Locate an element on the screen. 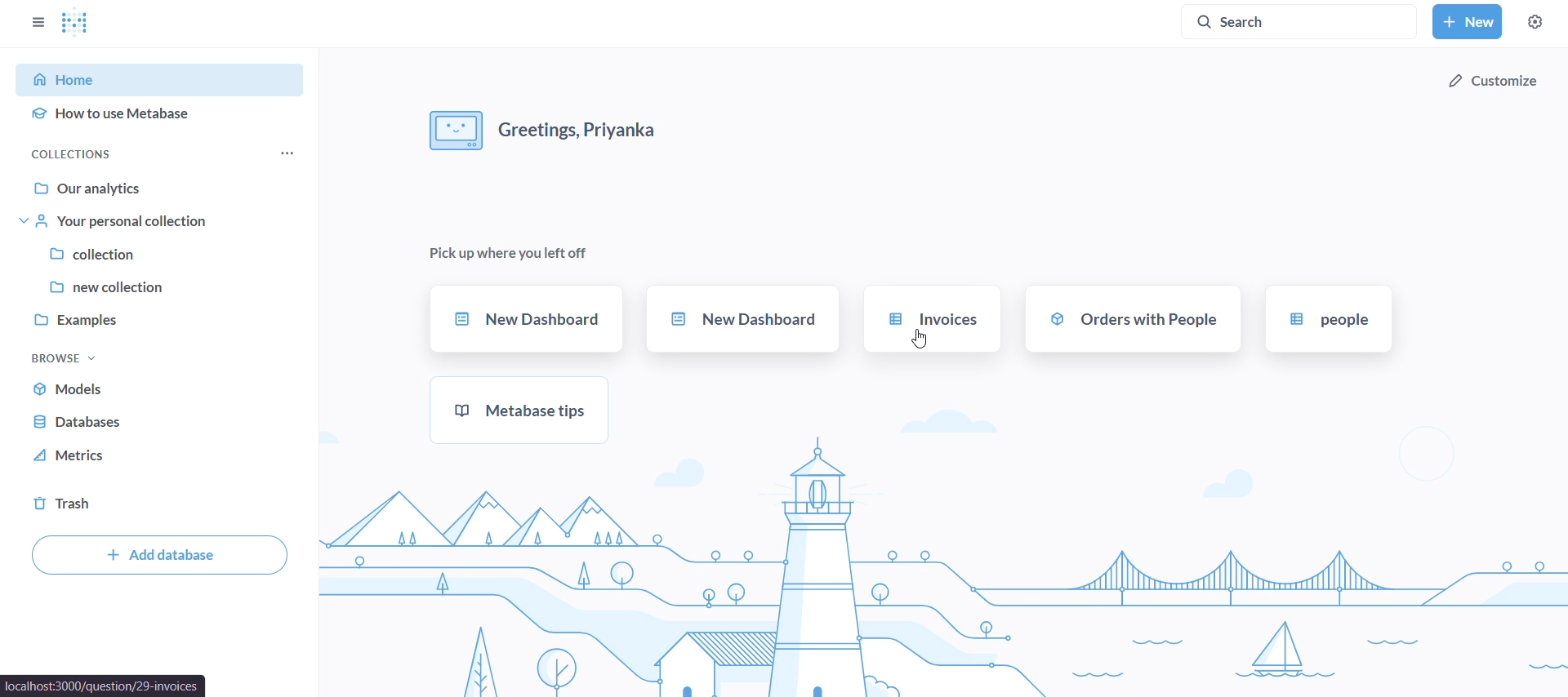 This screenshot has width=1568, height=697. trash is located at coordinates (60, 501).